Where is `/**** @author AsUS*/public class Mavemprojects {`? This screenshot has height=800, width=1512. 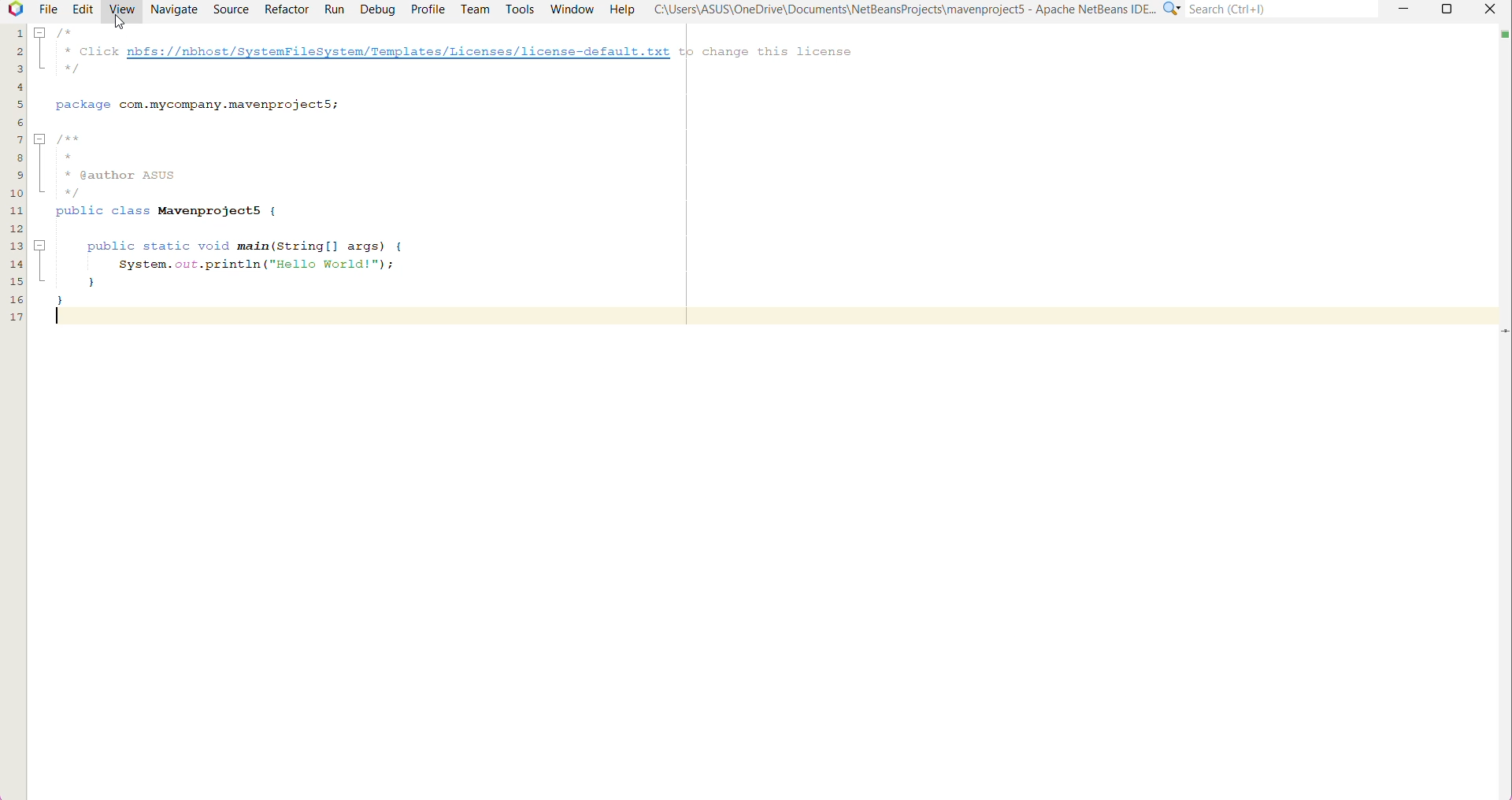 /**** @author AsUS*/public class Mavemprojects { is located at coordinates (173, 174).